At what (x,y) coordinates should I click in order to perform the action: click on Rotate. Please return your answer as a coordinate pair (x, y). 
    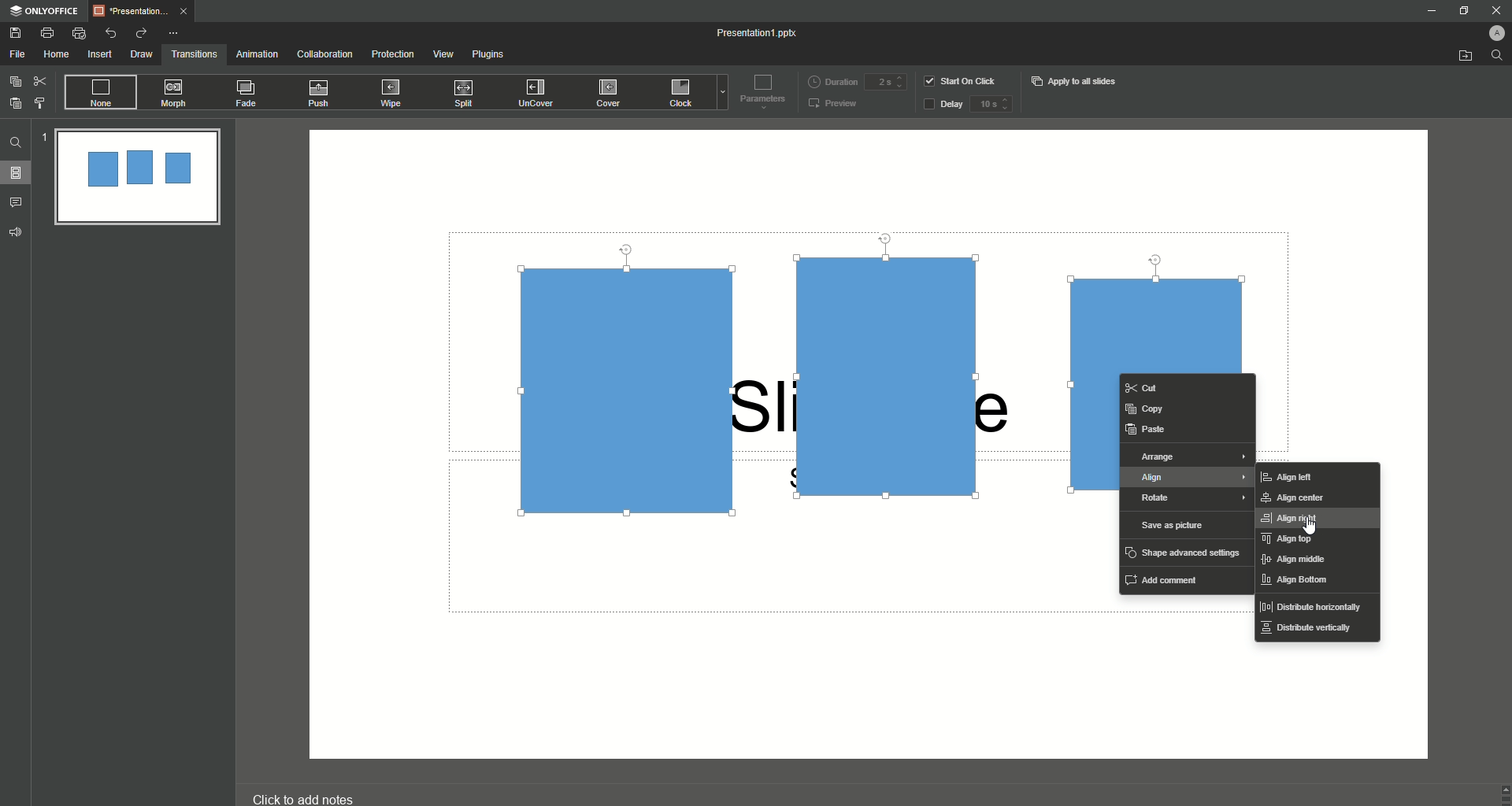
    Looking at the image, I should click on (1191, 500).